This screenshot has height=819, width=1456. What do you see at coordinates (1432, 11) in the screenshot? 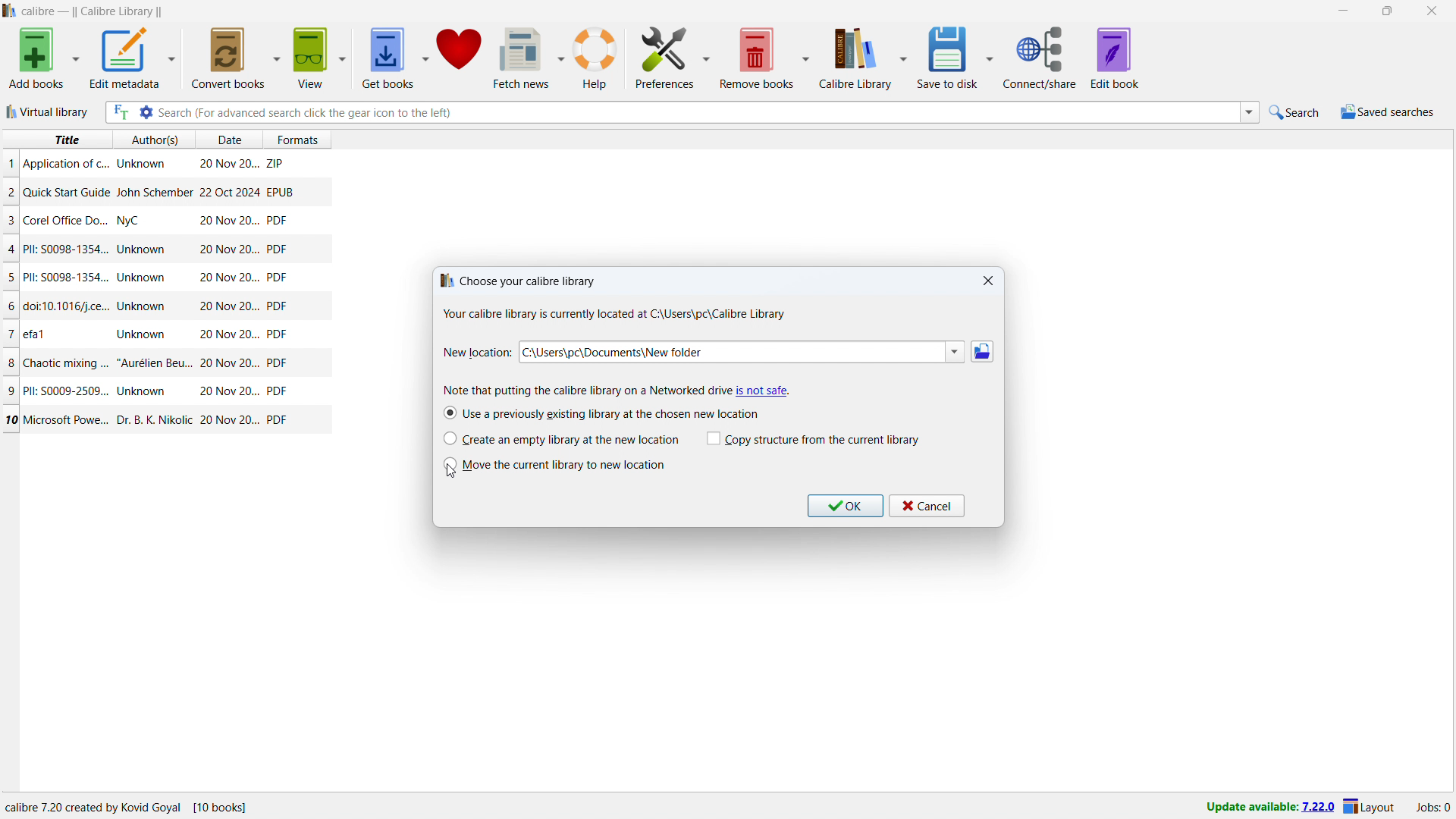
I see `close` at bounding box center [1432, 11].